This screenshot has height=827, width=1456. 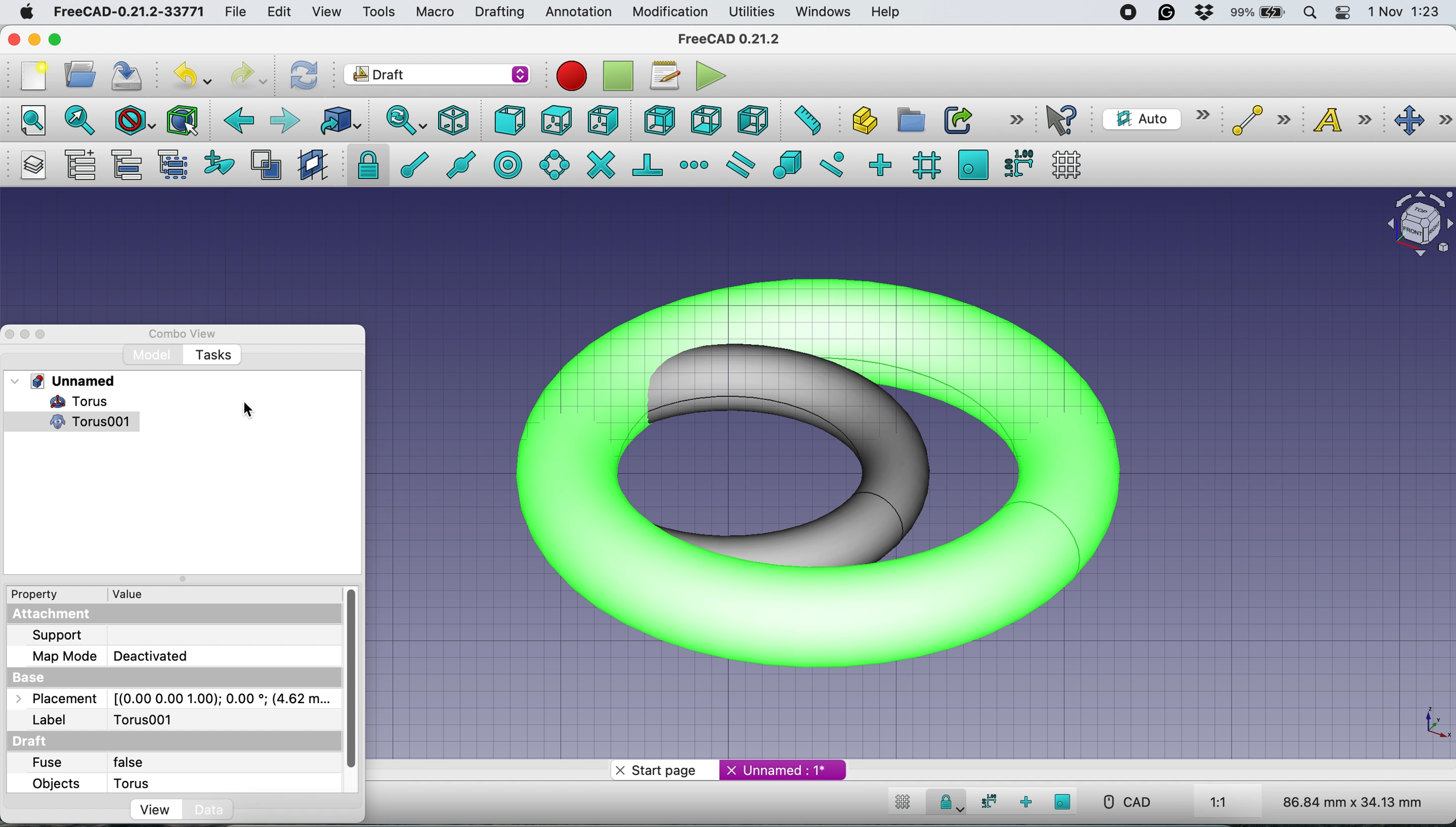 What do you see at coordinates (1342, 14) in the screenshot?
I see `control center` at bounding box center [1342, 14].